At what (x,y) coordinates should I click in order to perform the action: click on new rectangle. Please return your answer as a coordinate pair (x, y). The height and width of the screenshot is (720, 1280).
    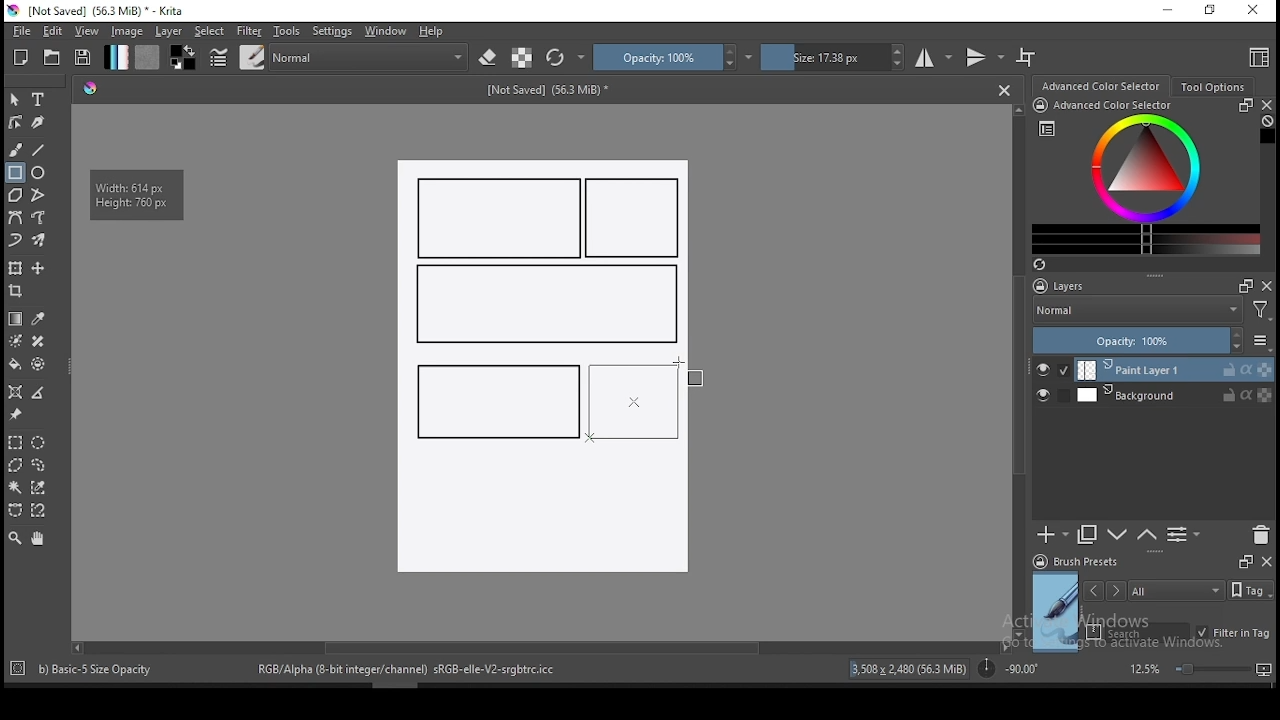
    Looking at the image, I should click on (636, 219).